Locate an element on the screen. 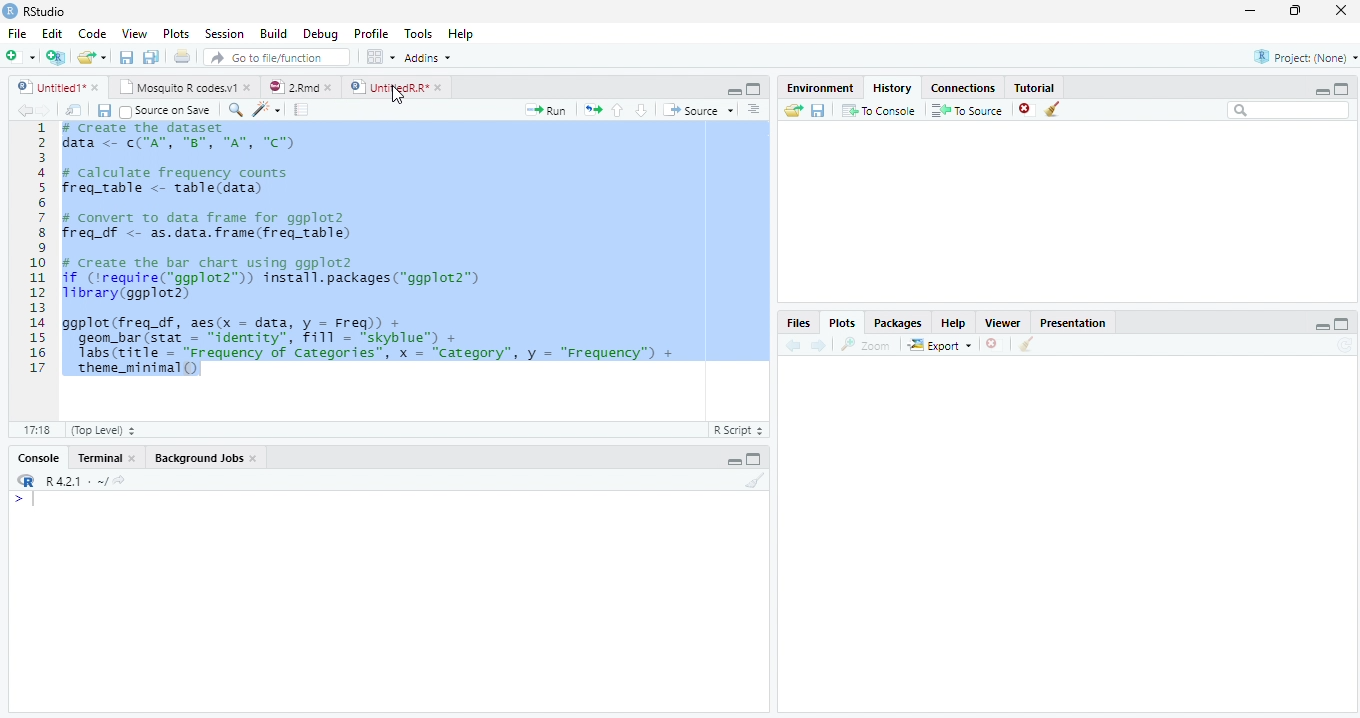 The height and width of the screenshot is (718, 1360). Create a project is located at coordinates (54, 56).